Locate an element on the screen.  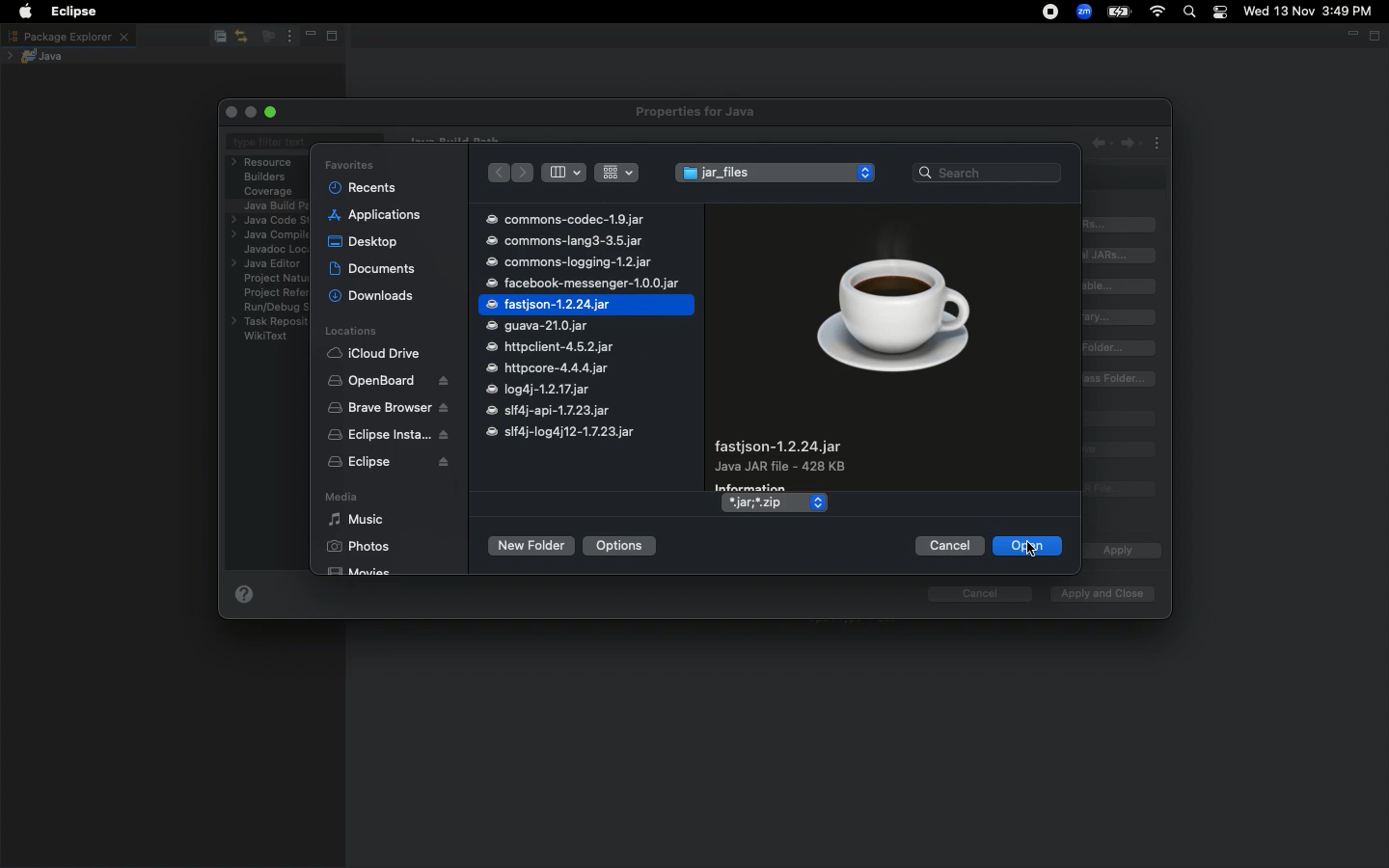
Zoom is located at coordinates (1085, 12).